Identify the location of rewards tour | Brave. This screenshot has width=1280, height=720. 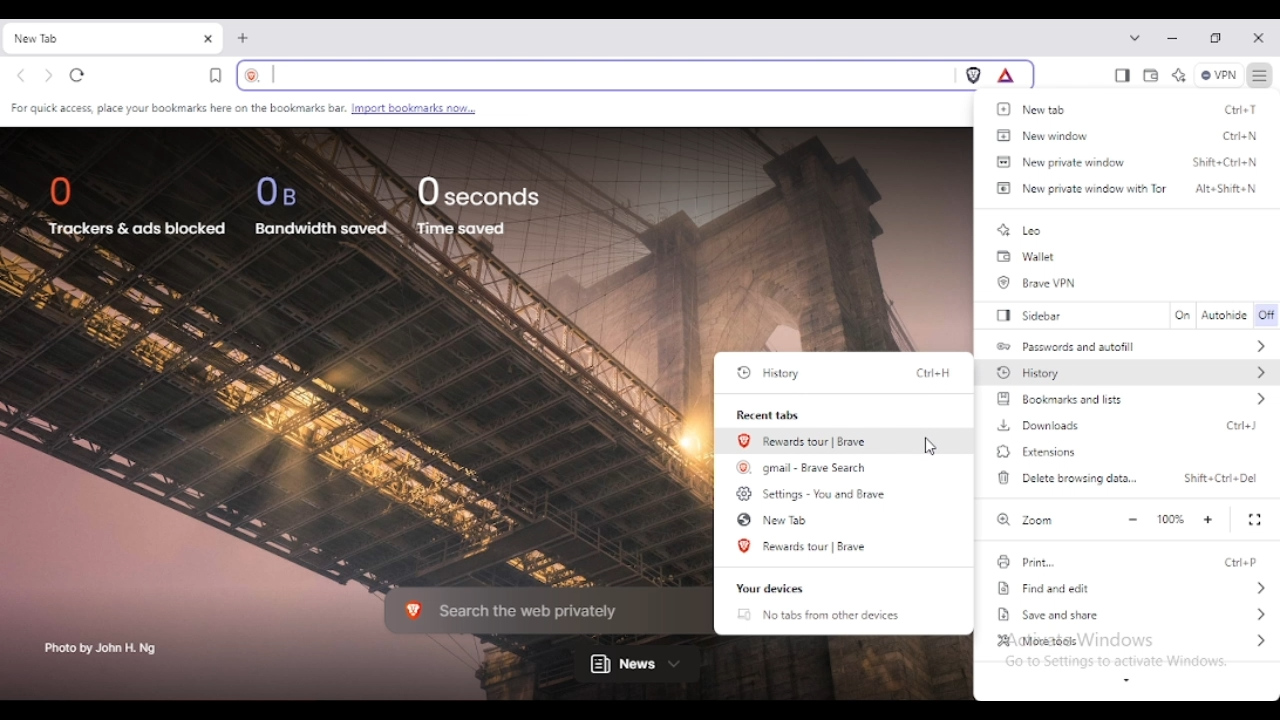
(804, 441).